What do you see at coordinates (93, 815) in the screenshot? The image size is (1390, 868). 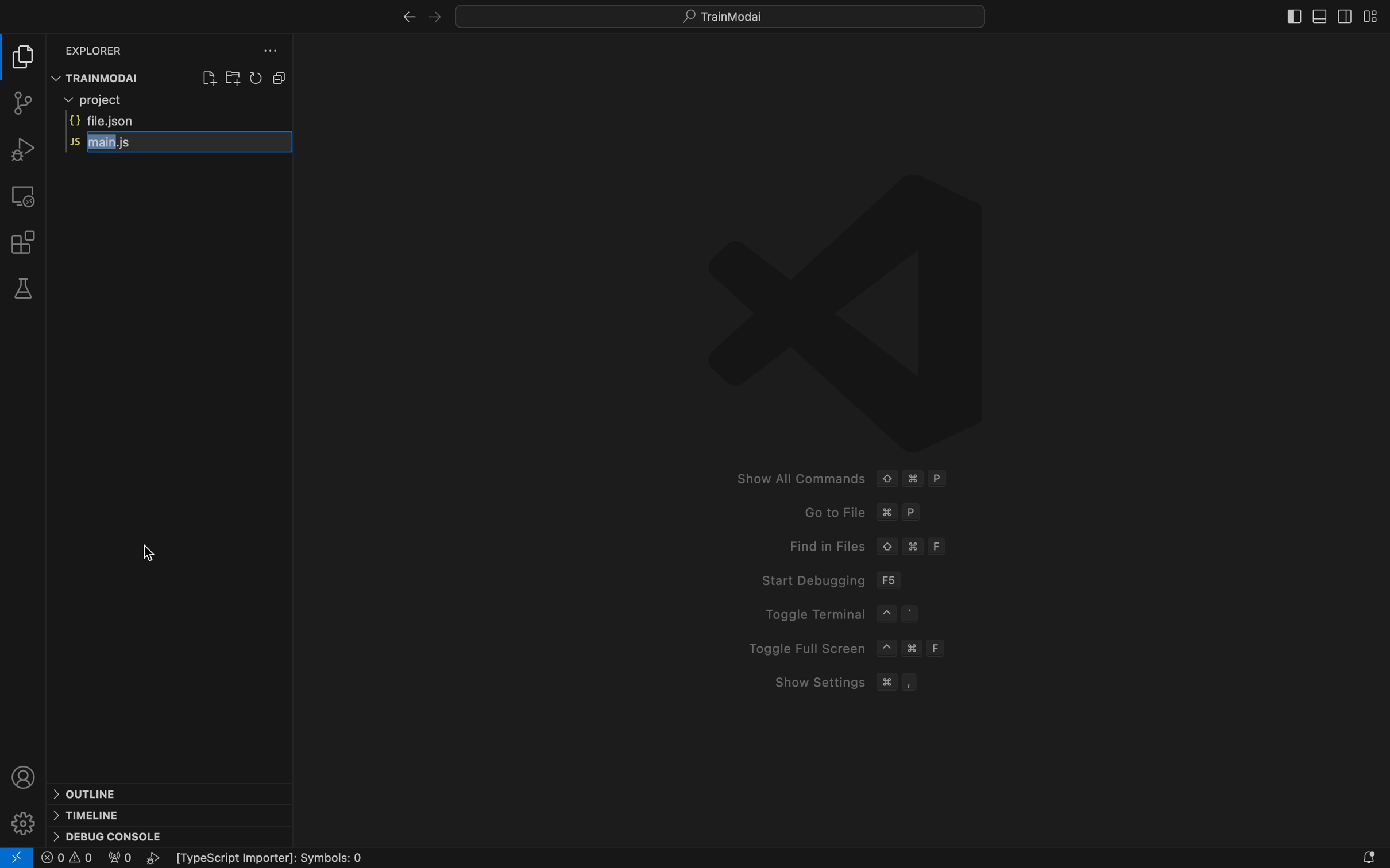 I see `timeline` at bounding box center [93, 815].